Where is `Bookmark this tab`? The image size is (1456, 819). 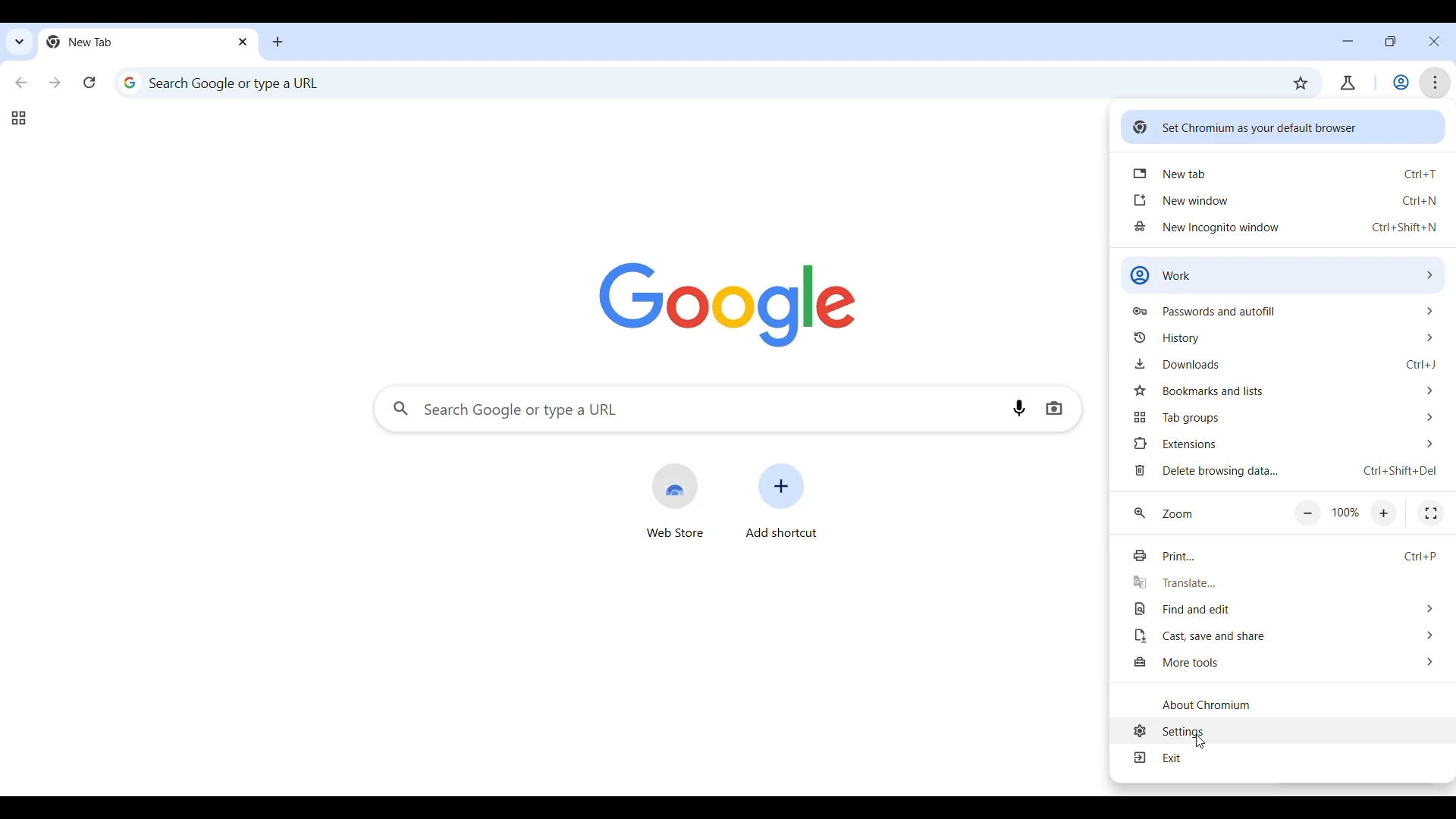 Bookmark this tab is located at coordinates (1301, 83).